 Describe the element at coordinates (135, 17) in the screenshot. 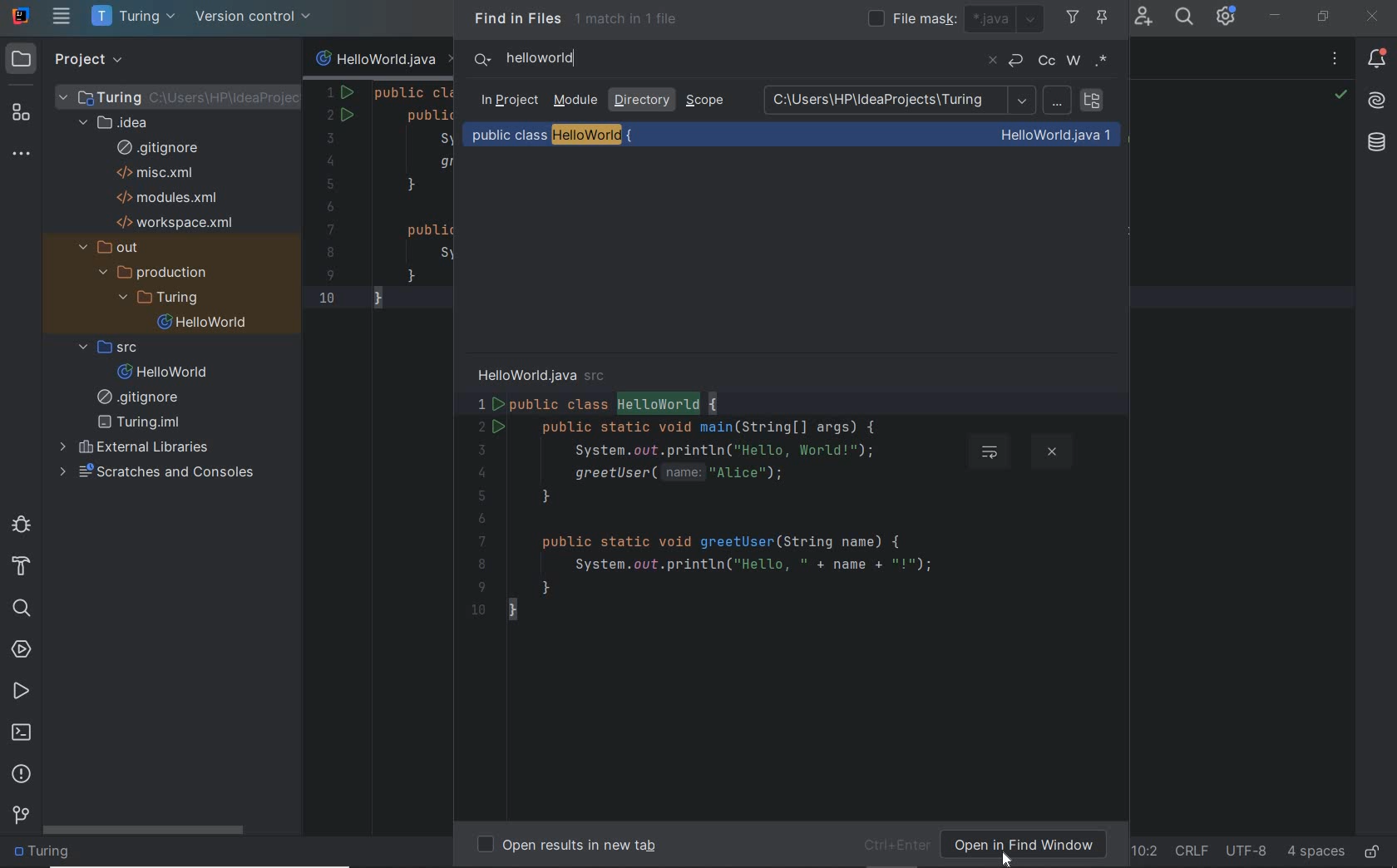

I see `project name` at that location.